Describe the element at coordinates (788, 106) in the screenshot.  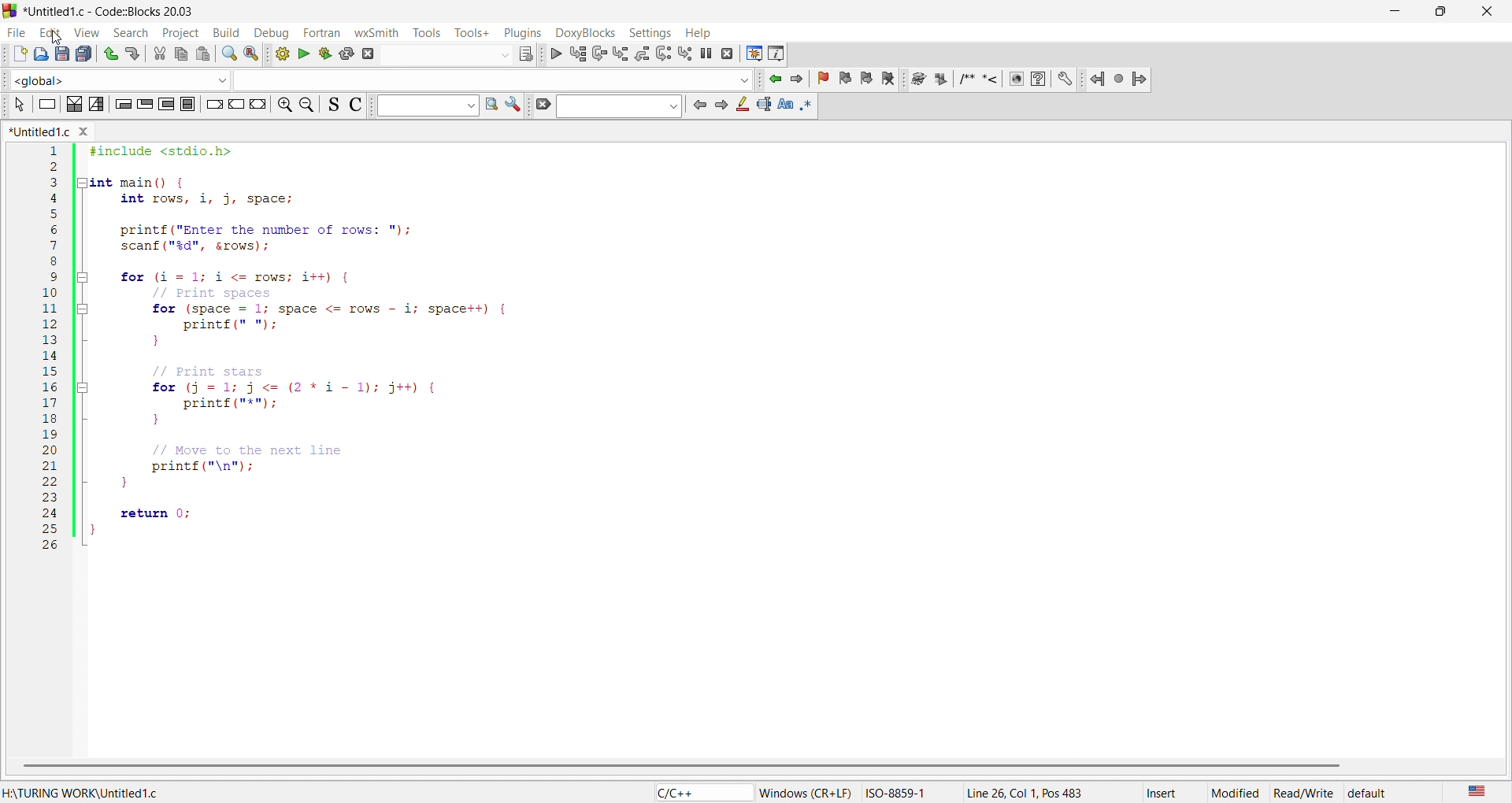
I see `icon` at that location.